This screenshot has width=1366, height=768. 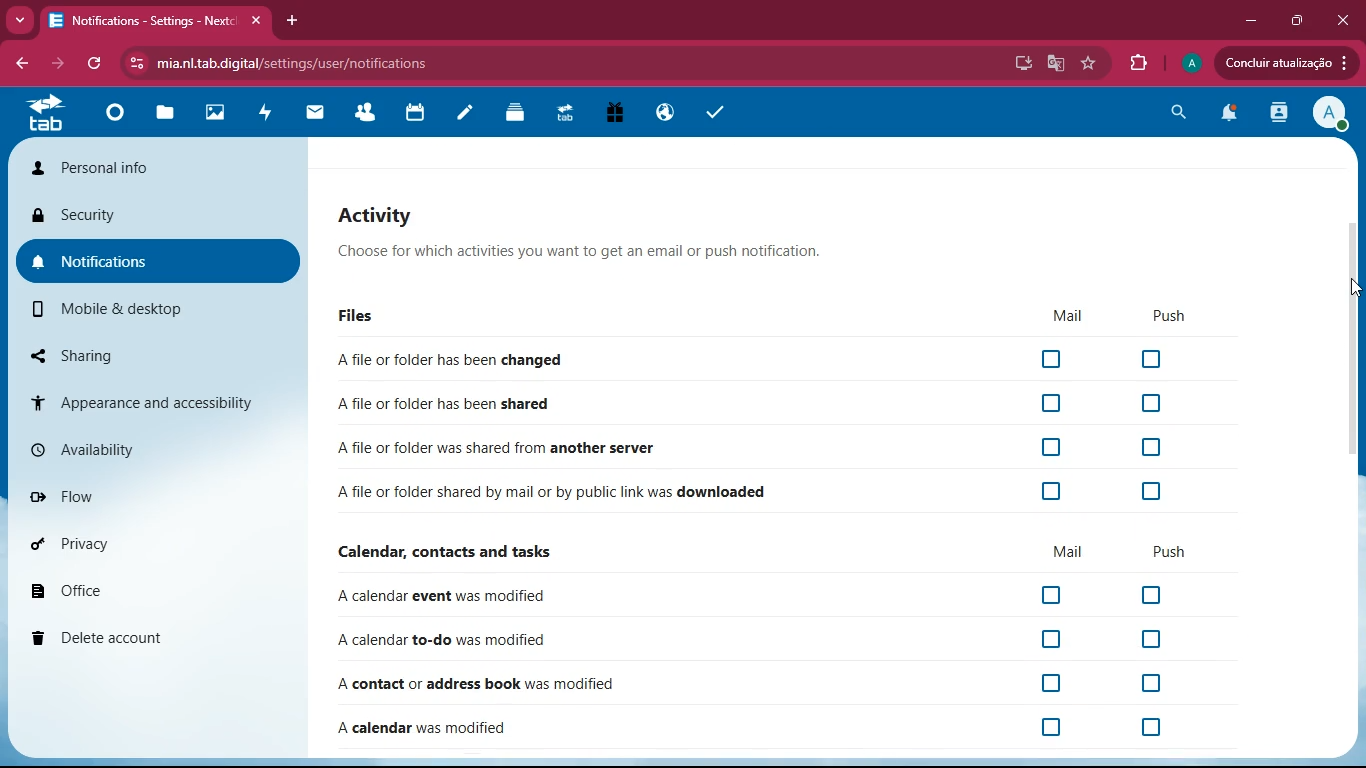 What do you see at coordinates (160, 167) in the screenshot?
I see `personal` at bounding box center [160, 167].